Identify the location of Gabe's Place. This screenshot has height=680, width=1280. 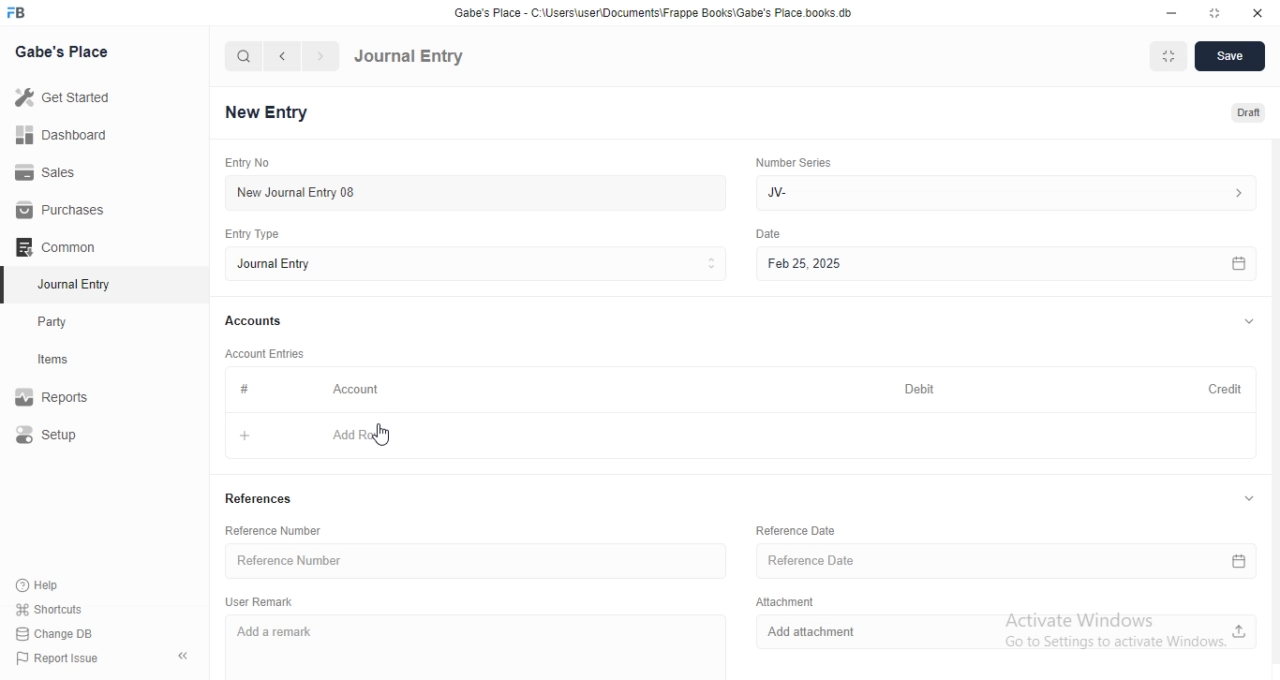
(61, 52).